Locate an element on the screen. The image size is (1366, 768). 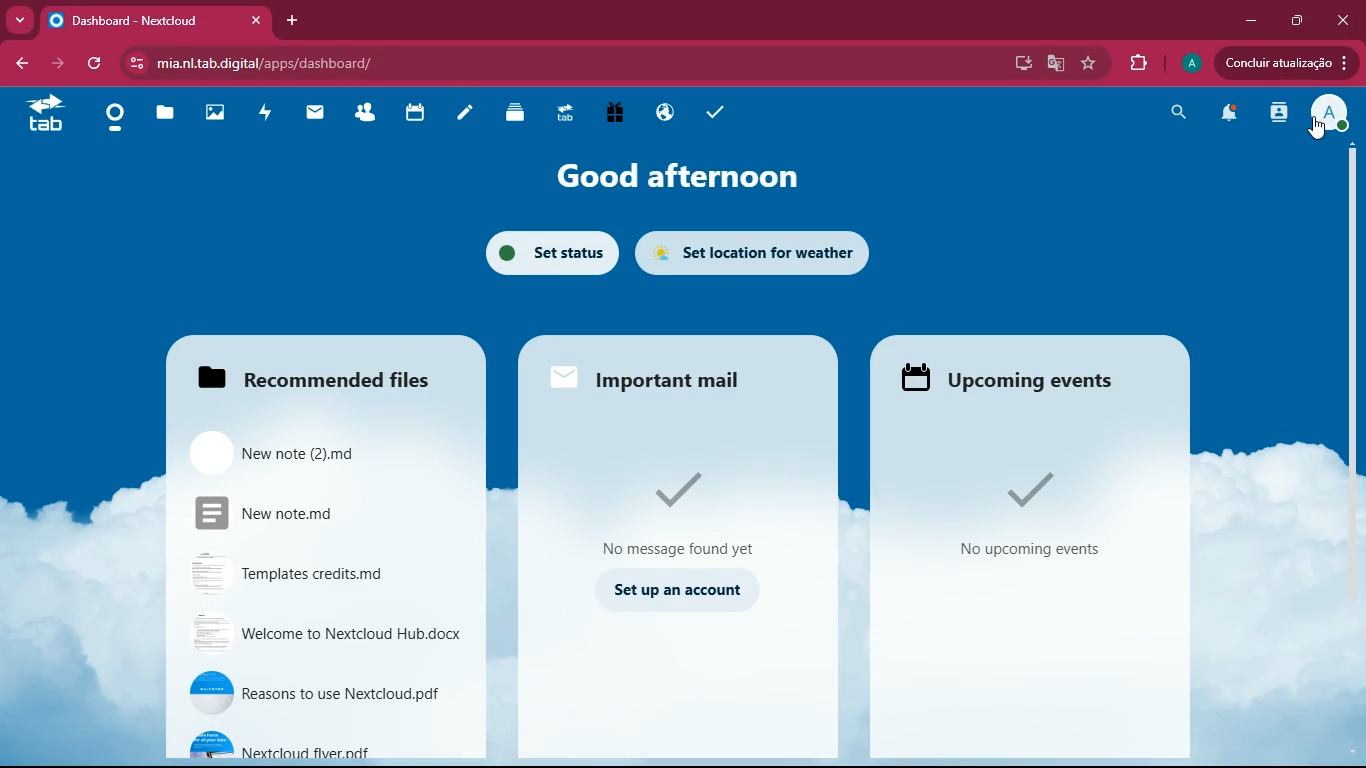
refresh is located at coordinates (98, 64).